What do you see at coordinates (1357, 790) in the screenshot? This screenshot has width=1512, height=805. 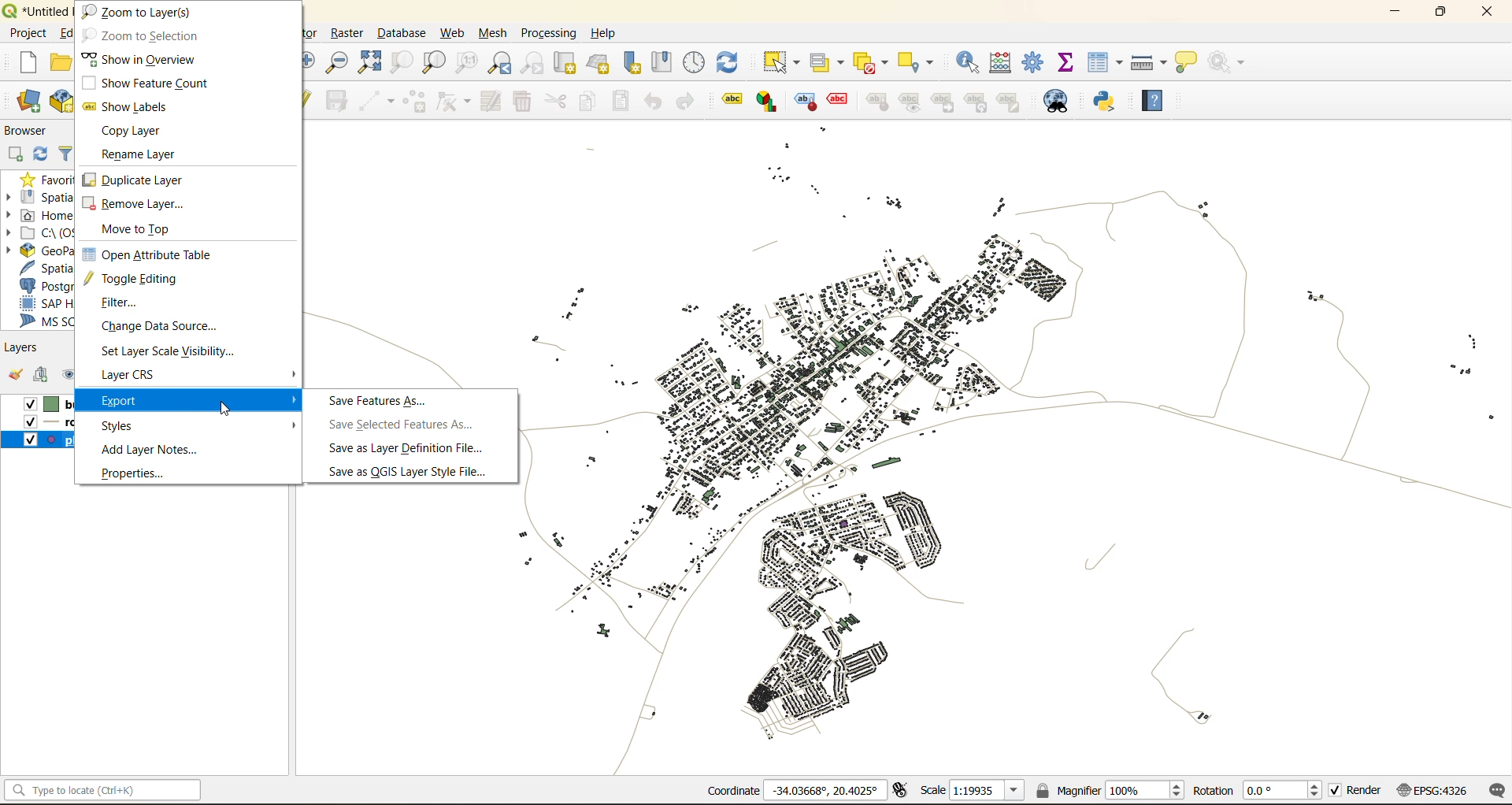 I see `render` at bounding box center [1357, 790].